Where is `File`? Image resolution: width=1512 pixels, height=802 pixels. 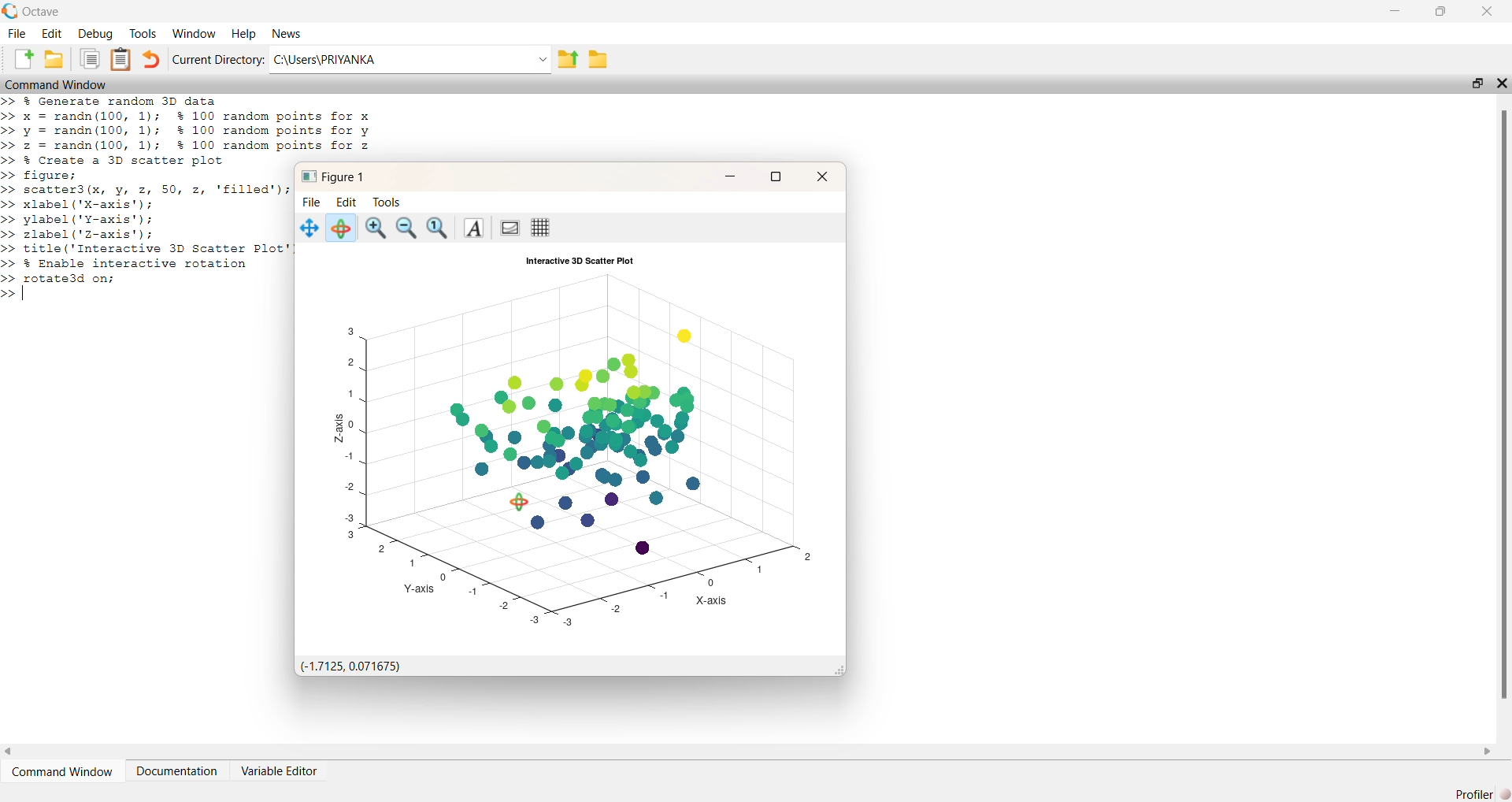
File is located at coordinates (312, 202).